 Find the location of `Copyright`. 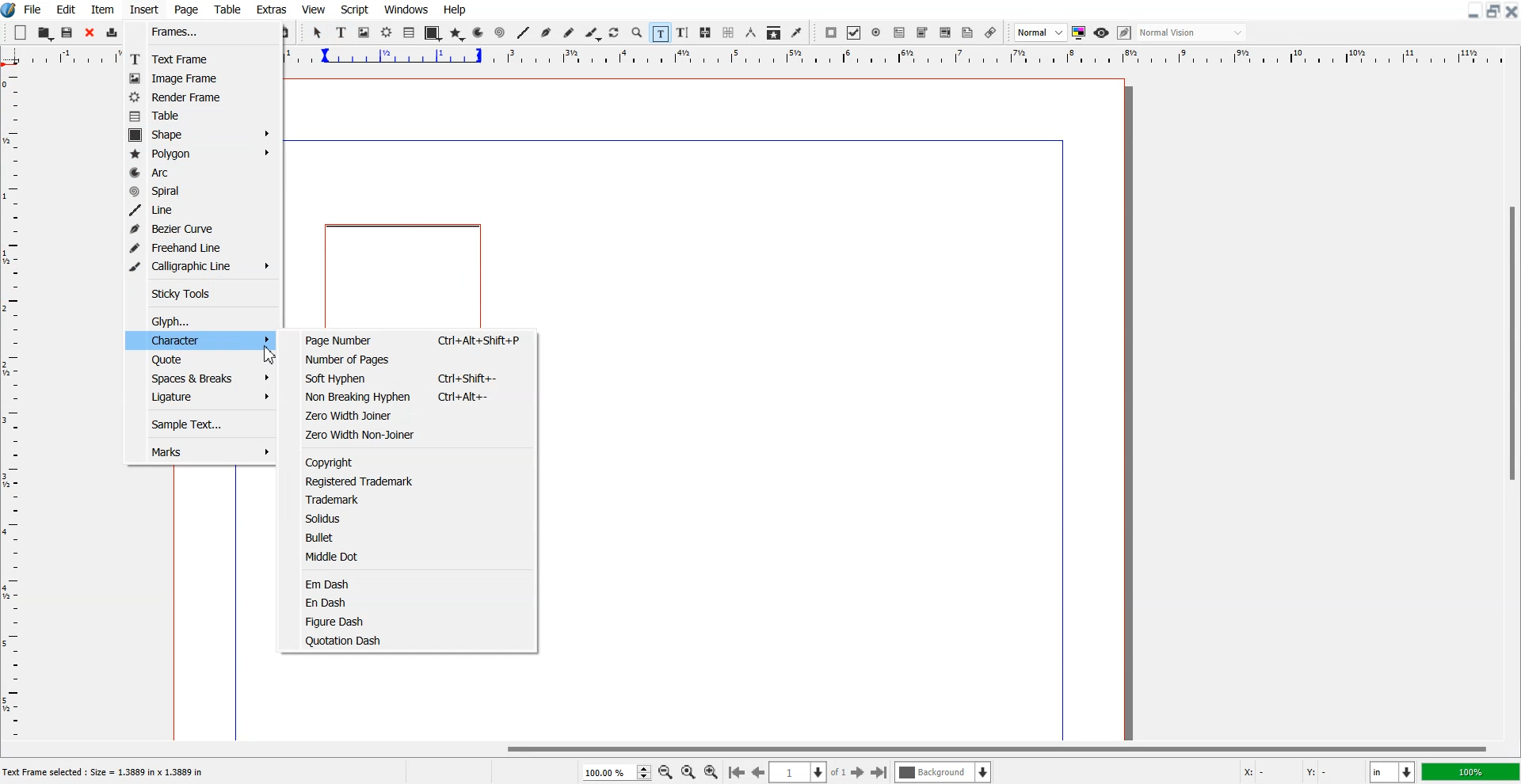

Copyright is located at coordinates (414, 461).